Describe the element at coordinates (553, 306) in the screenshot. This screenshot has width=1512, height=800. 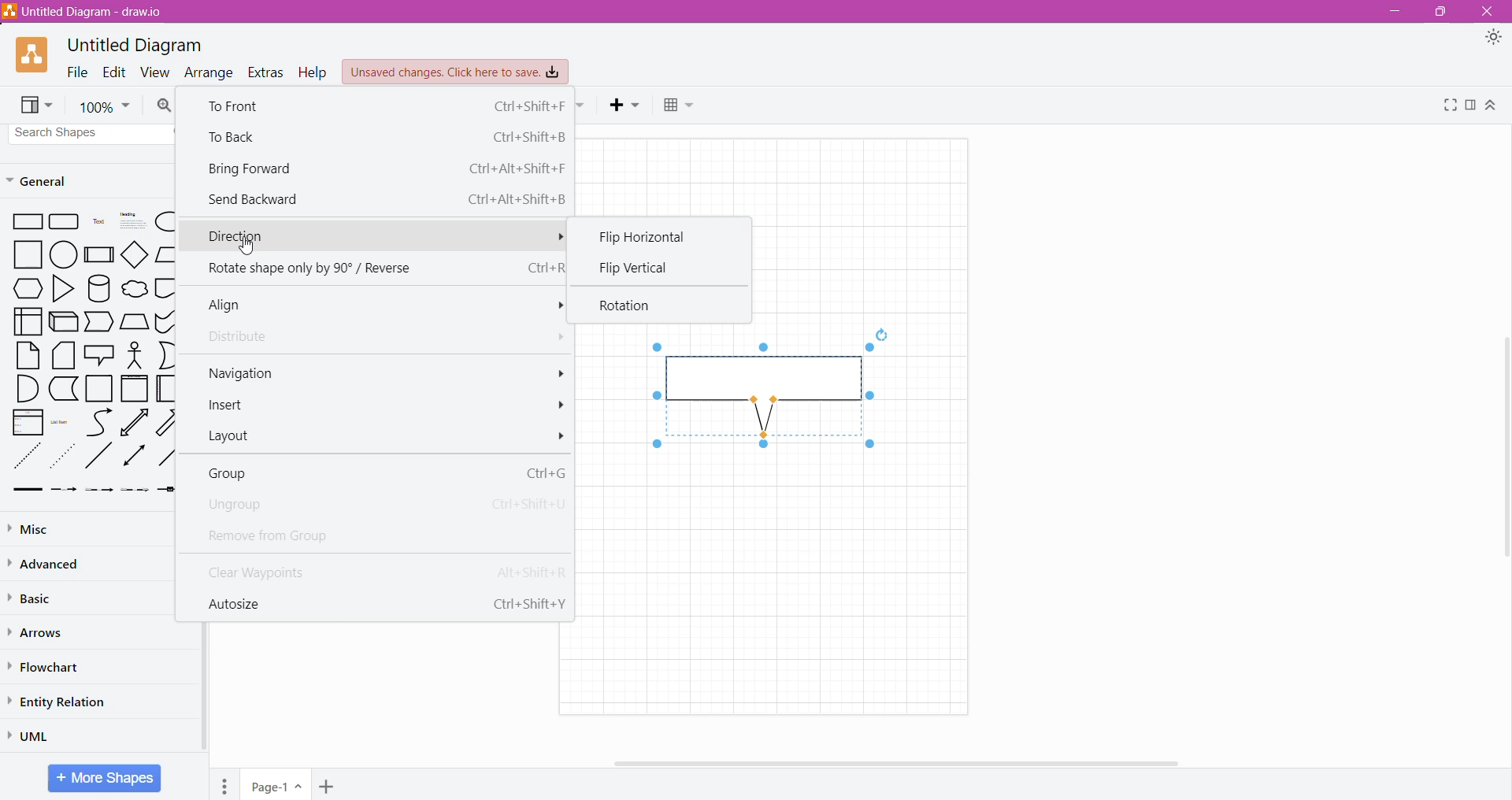
I see `more` at that location.